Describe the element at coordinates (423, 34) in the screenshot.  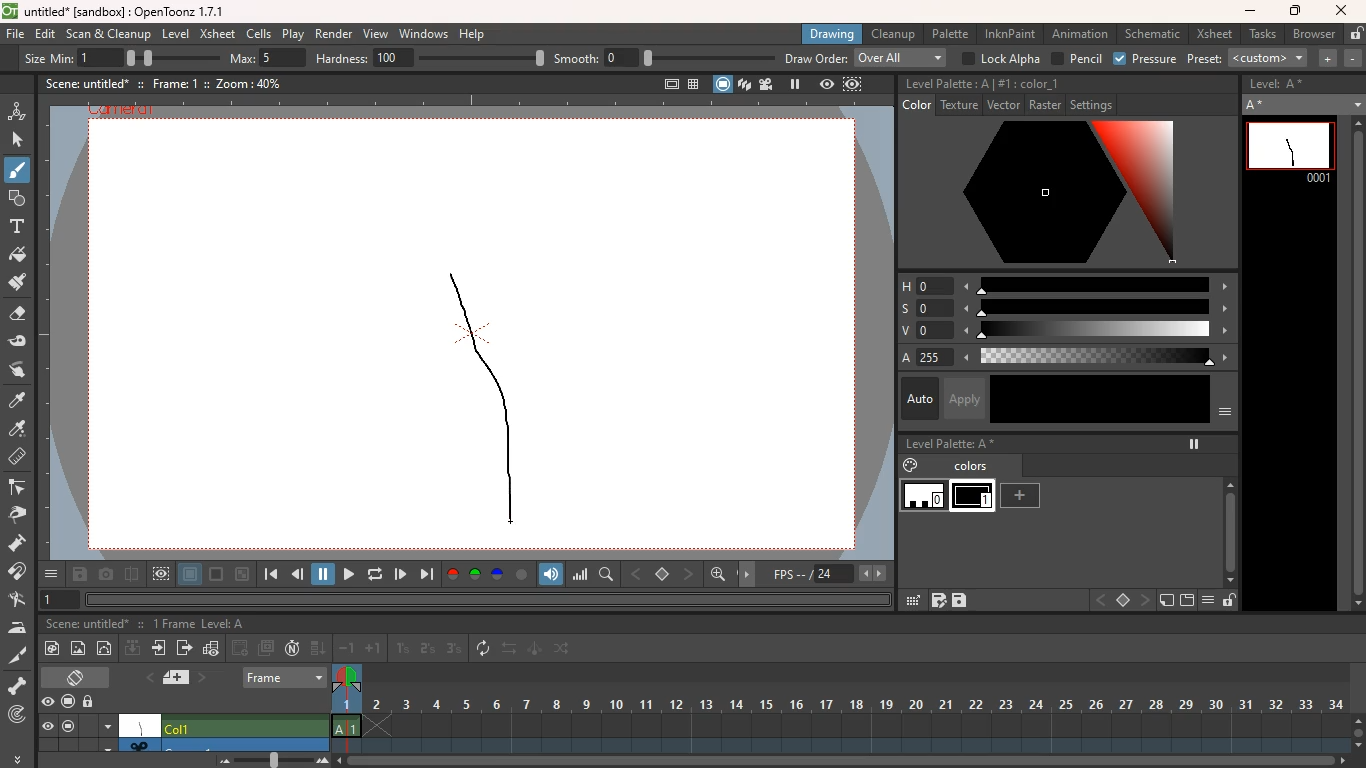
I see `windows` at that location.